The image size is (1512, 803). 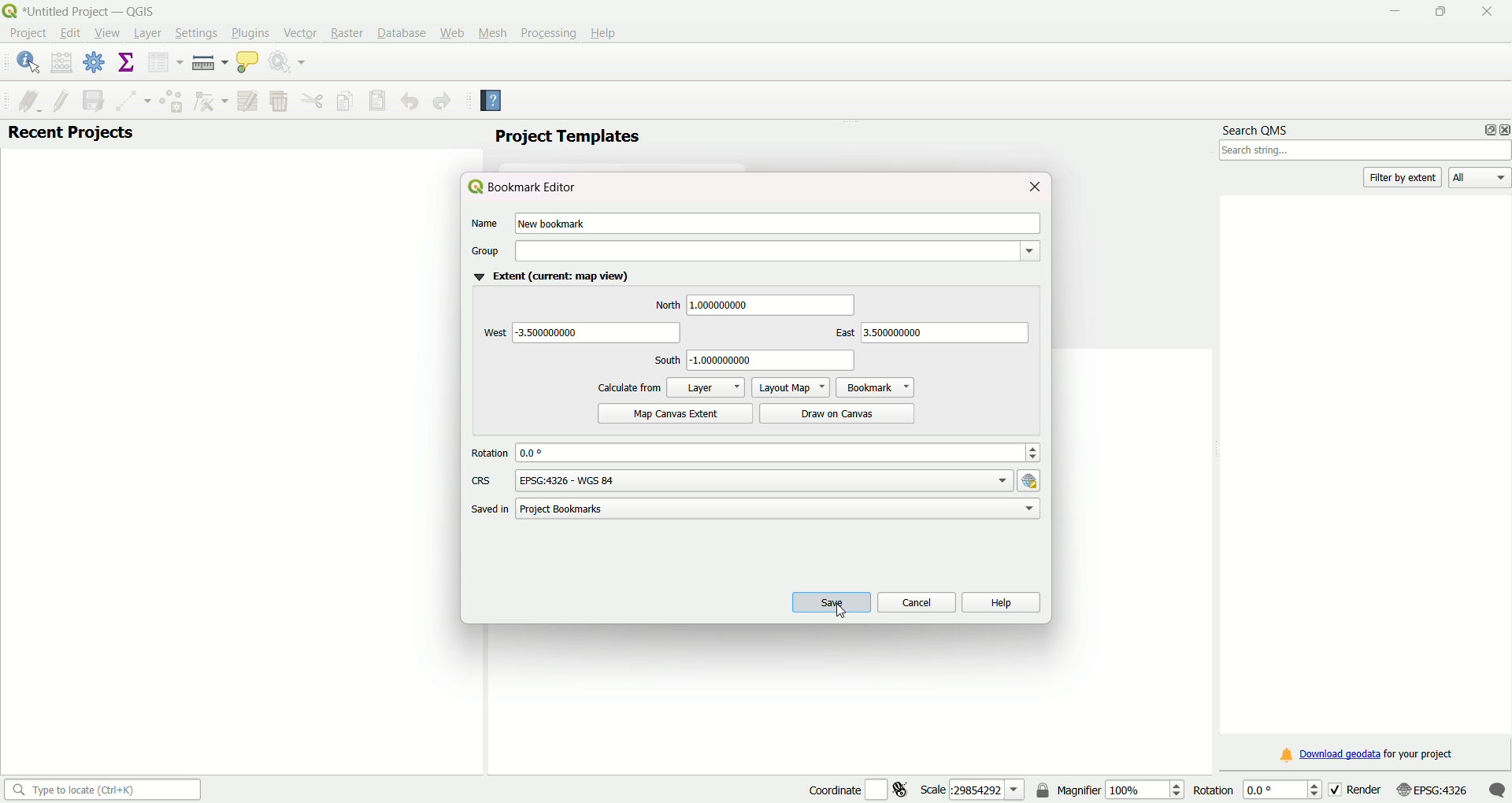 What do you see at coordinates (62, 62) in the screenshot?
I see `open field calculator` at bounding box center [62, 62].